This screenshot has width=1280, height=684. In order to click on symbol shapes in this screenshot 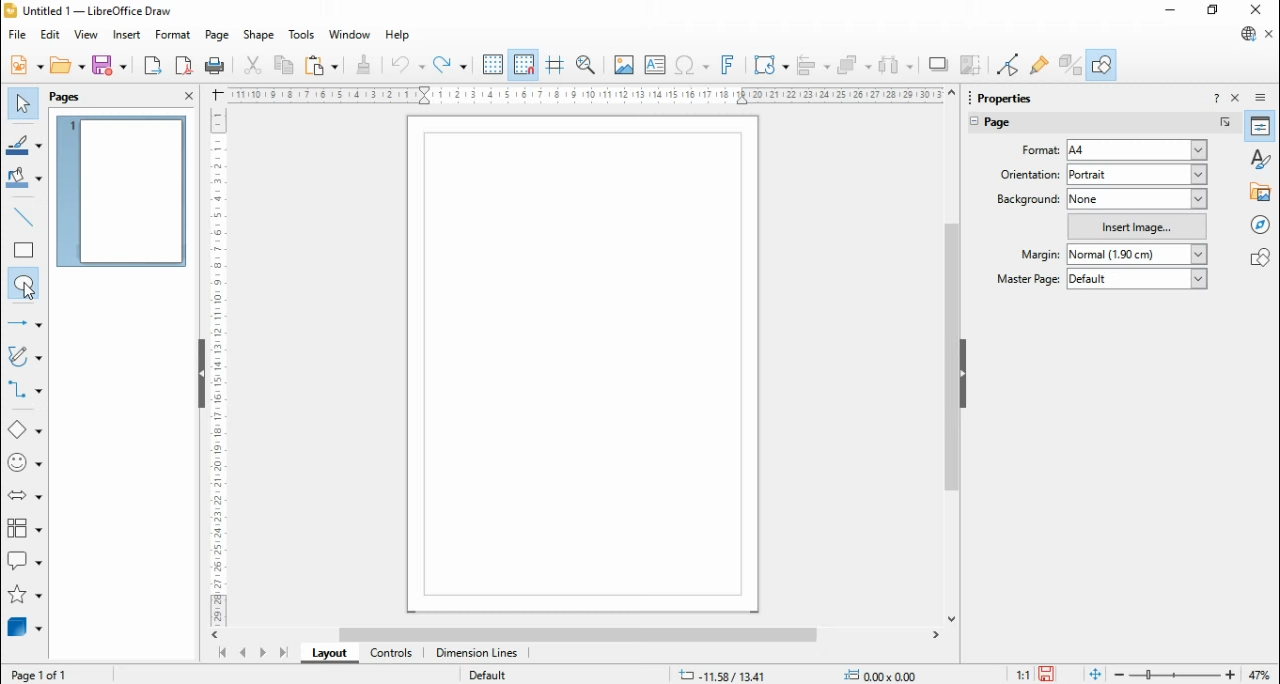, I will do `click(26, 465)`.